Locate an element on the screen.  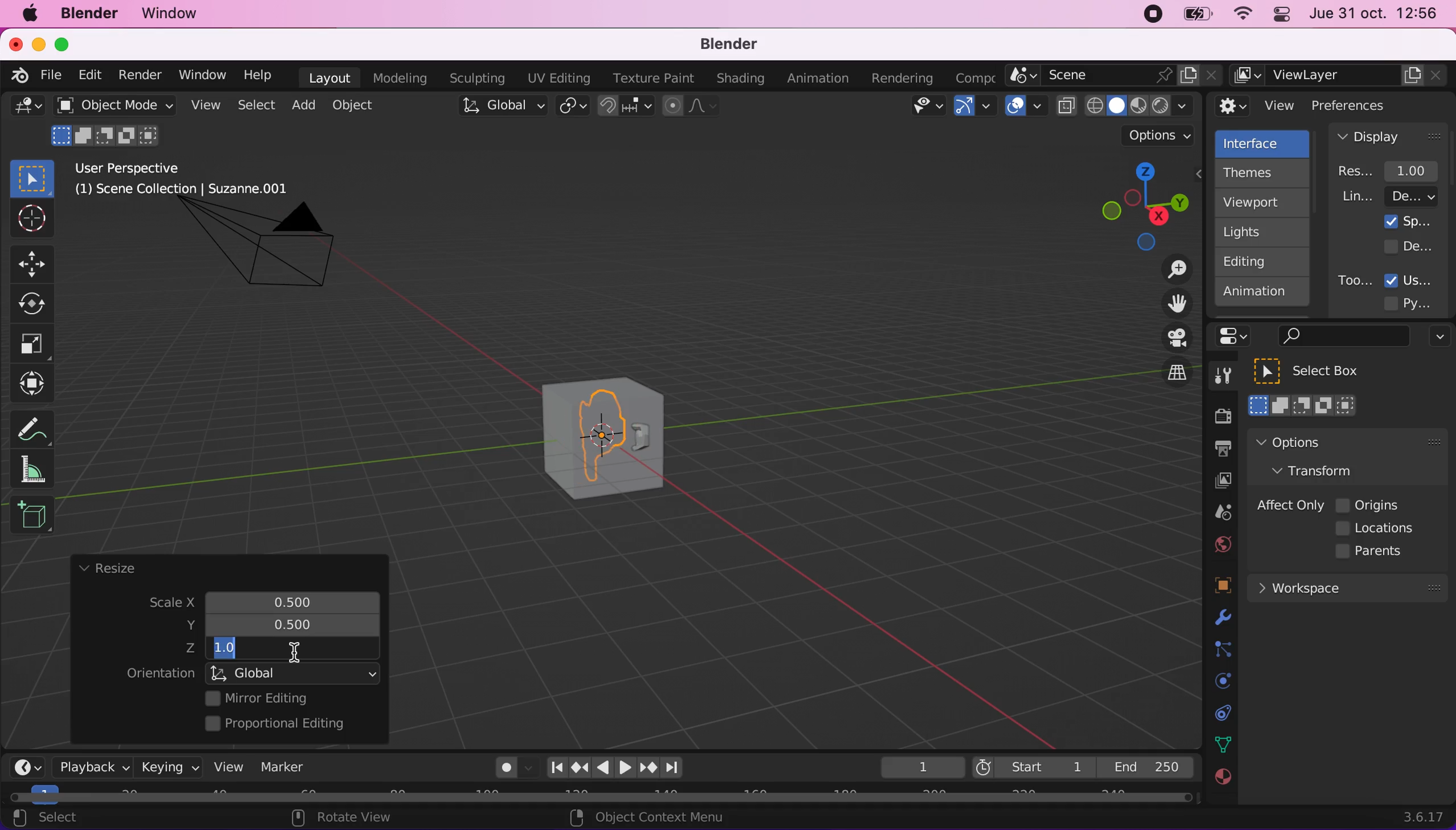
options is located at coordinates (1160, 136).